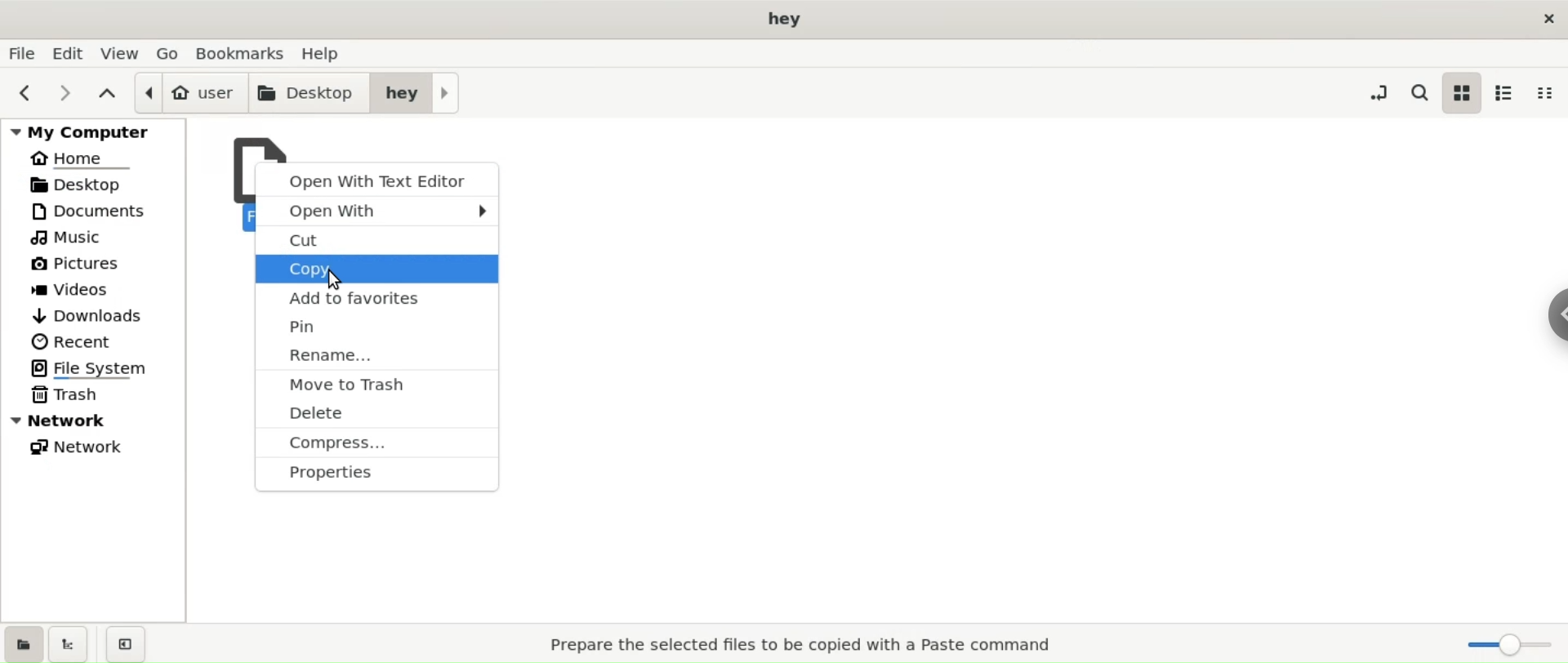 Image resolution: width=1568 pixels, height=663 pixels. What do you see at coordinates (379, 446) in the screenshot?
I see `compress` at bounding box center [379, 446].